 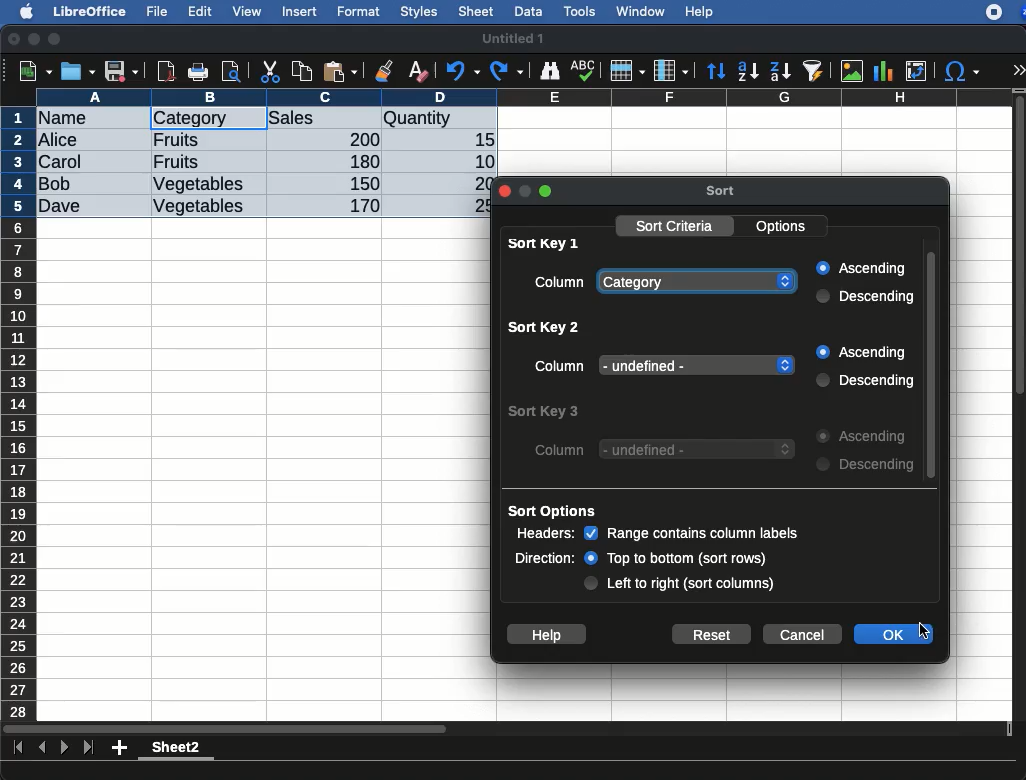 What do you see at coordinates (300, 11) in the screenshot?
I see `insert` at bounding box center [300, 11].